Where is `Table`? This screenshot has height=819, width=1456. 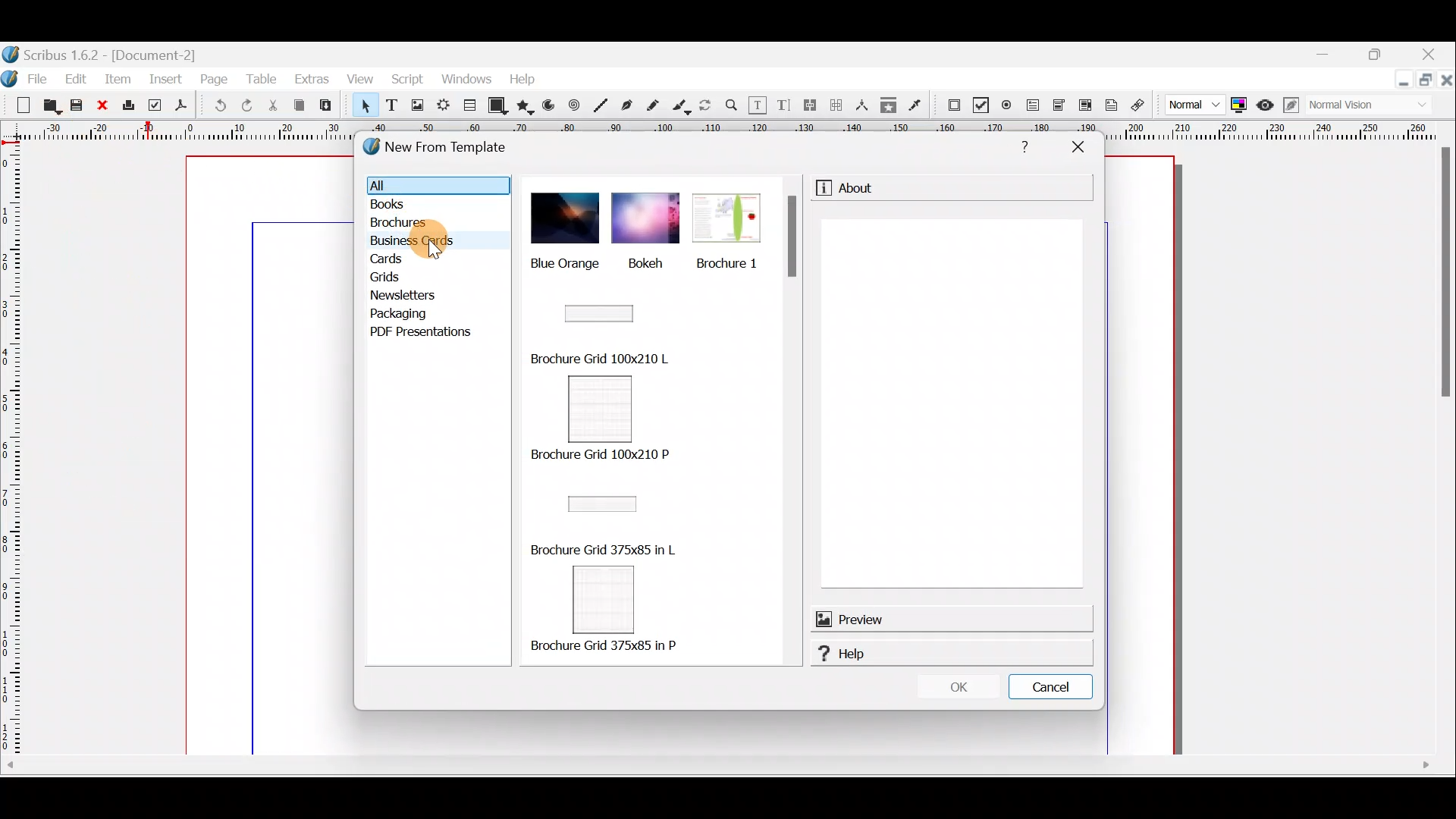 Table is located at coordinates (265, 78).